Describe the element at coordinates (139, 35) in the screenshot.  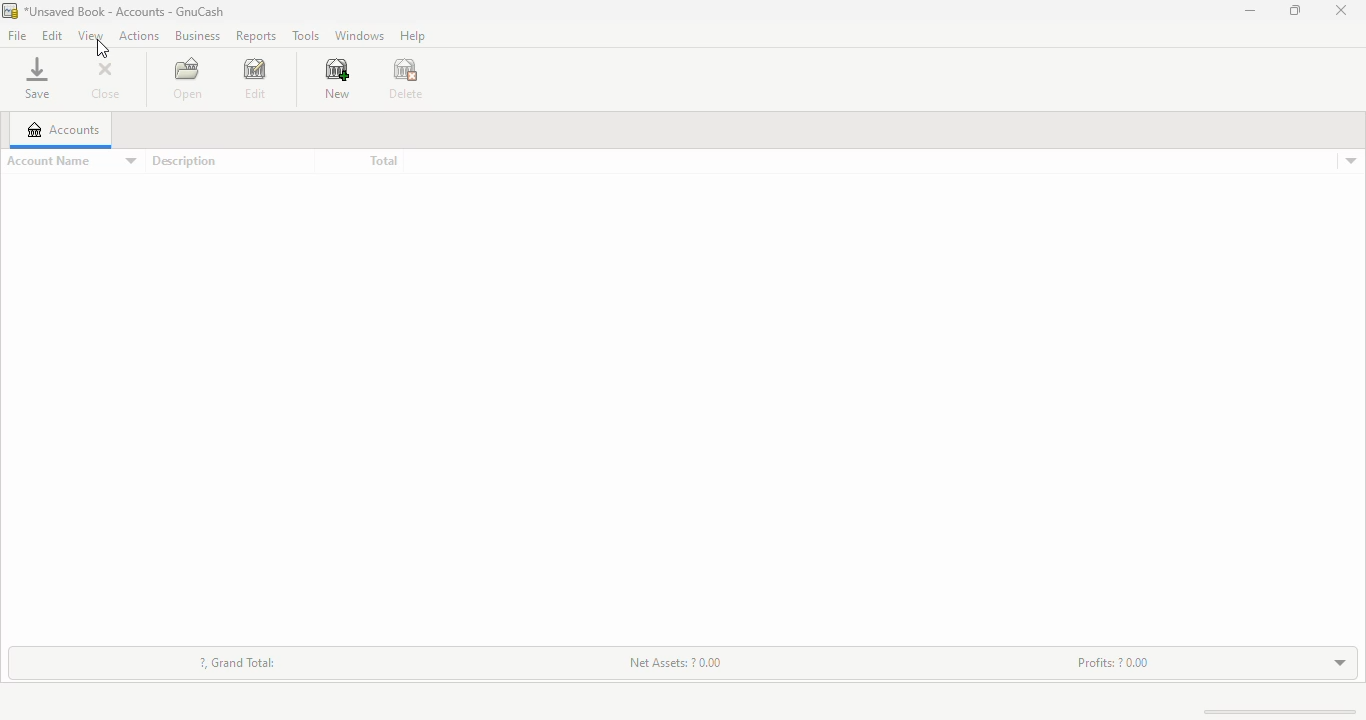
I see `actions` at that location.